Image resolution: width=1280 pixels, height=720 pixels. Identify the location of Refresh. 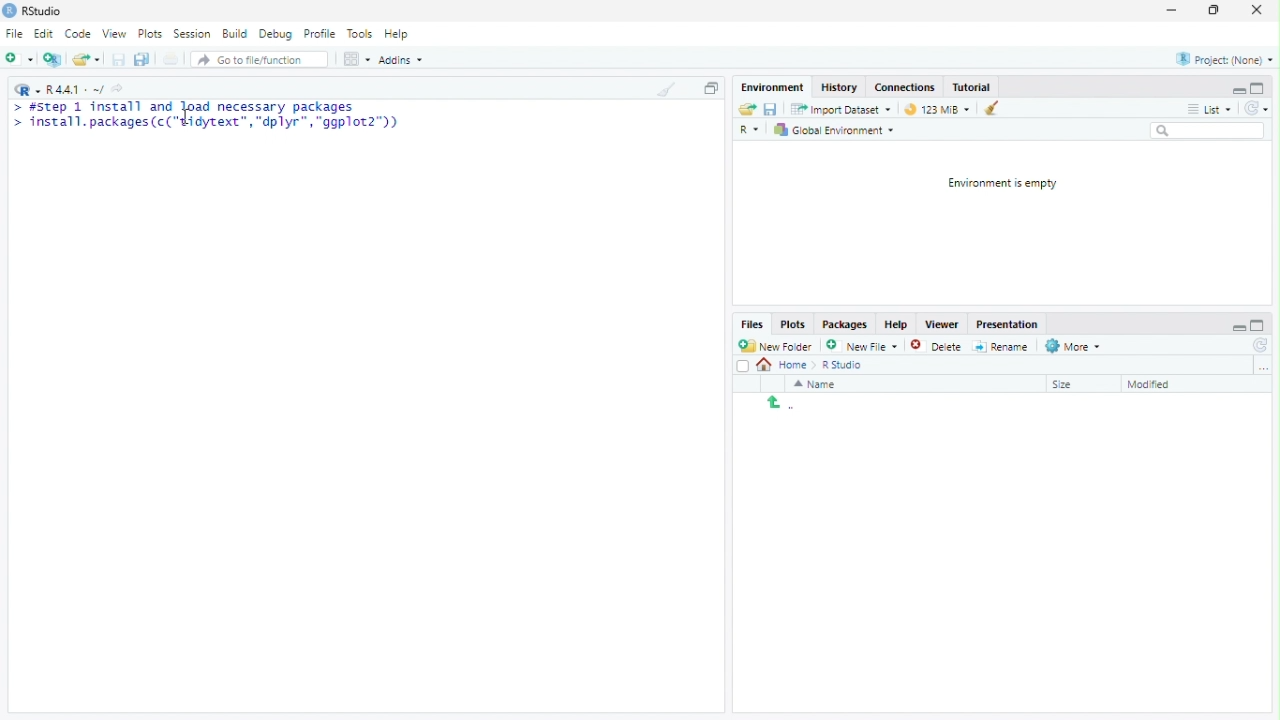
(1258, 345).